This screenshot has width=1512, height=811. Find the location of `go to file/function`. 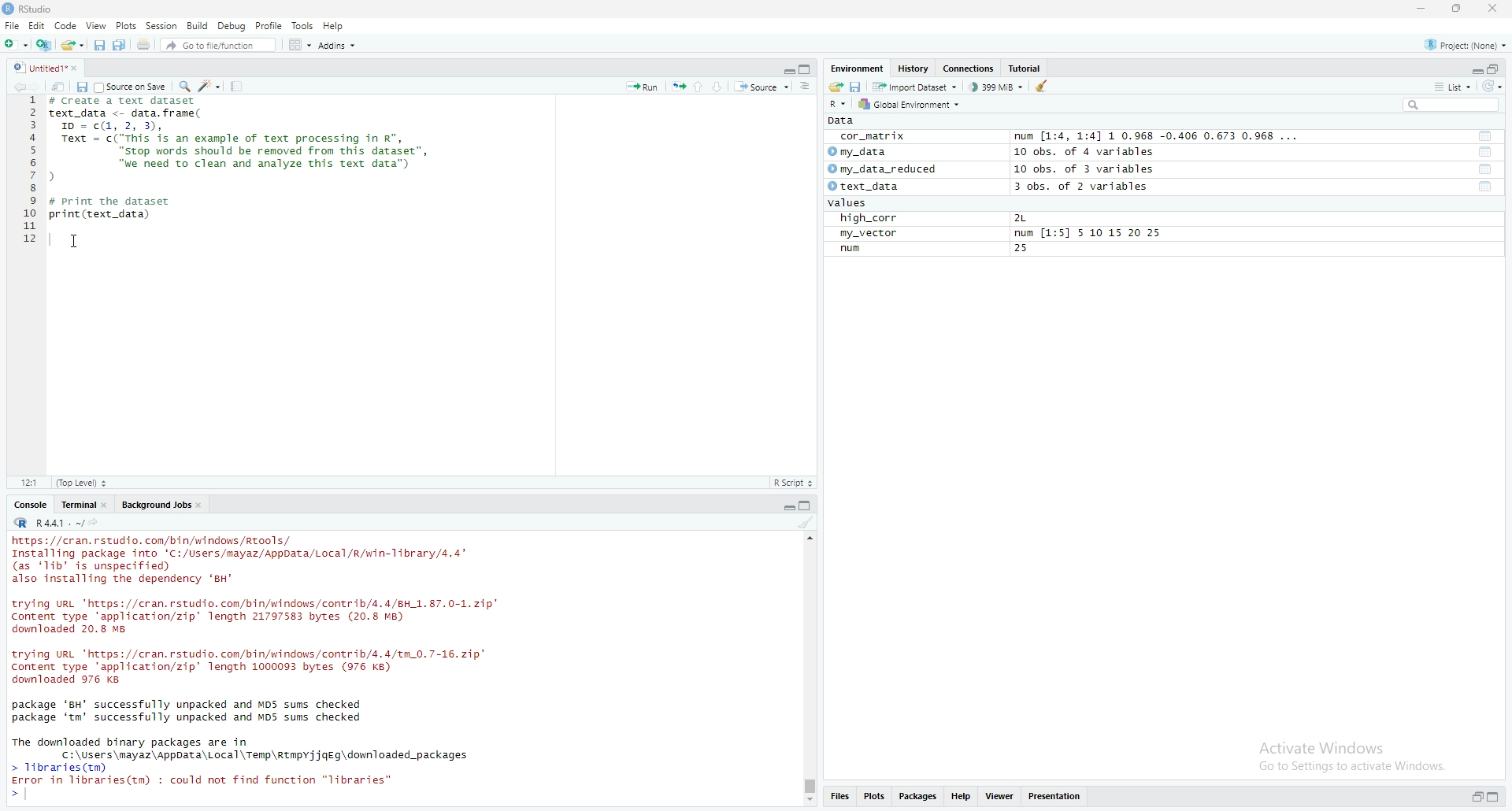

go to file/function is located at coordinates (220, 46).